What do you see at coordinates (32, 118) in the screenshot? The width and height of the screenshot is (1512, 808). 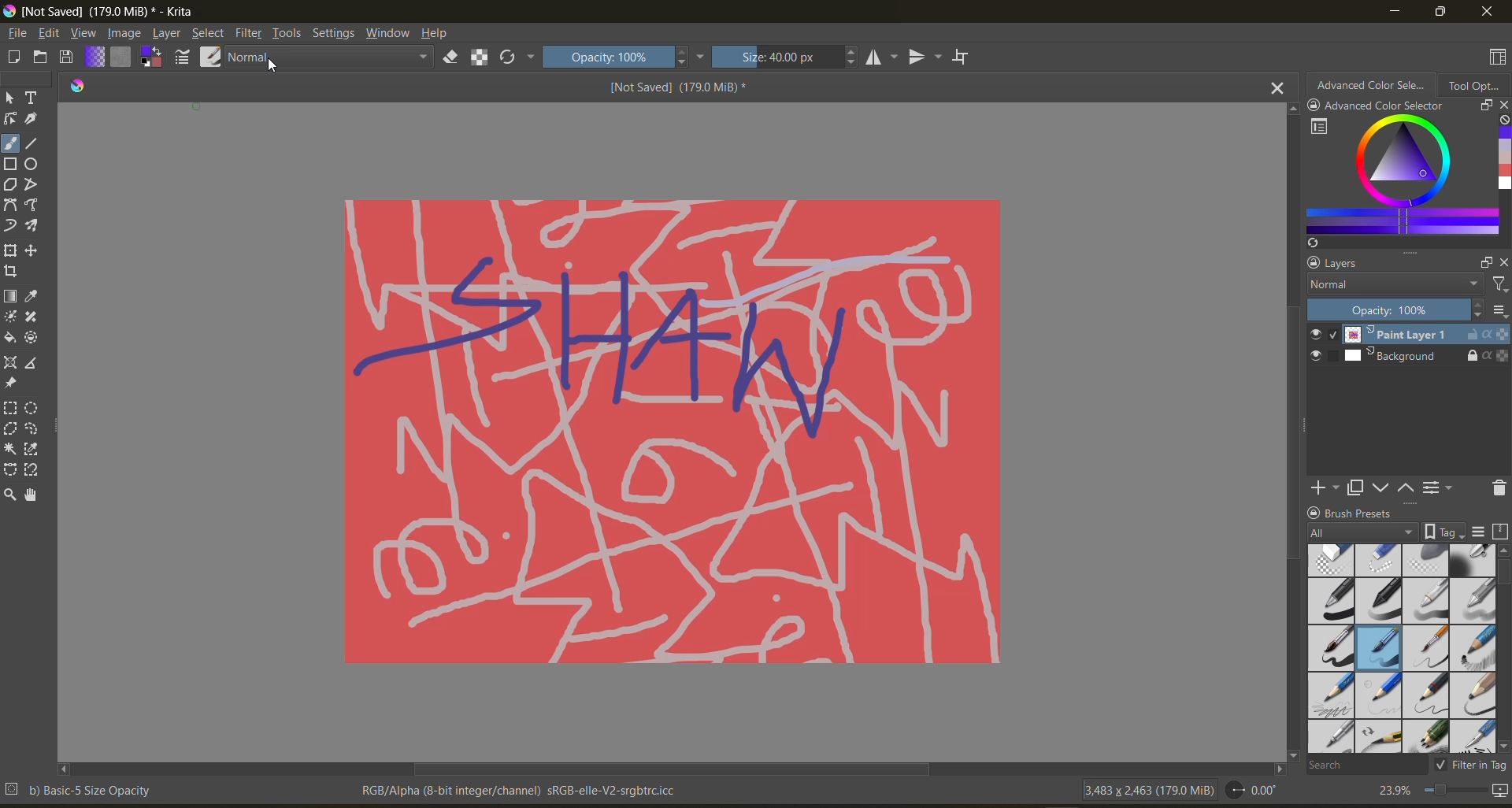 I see `calligraphy` at bounding box center [32, 118].